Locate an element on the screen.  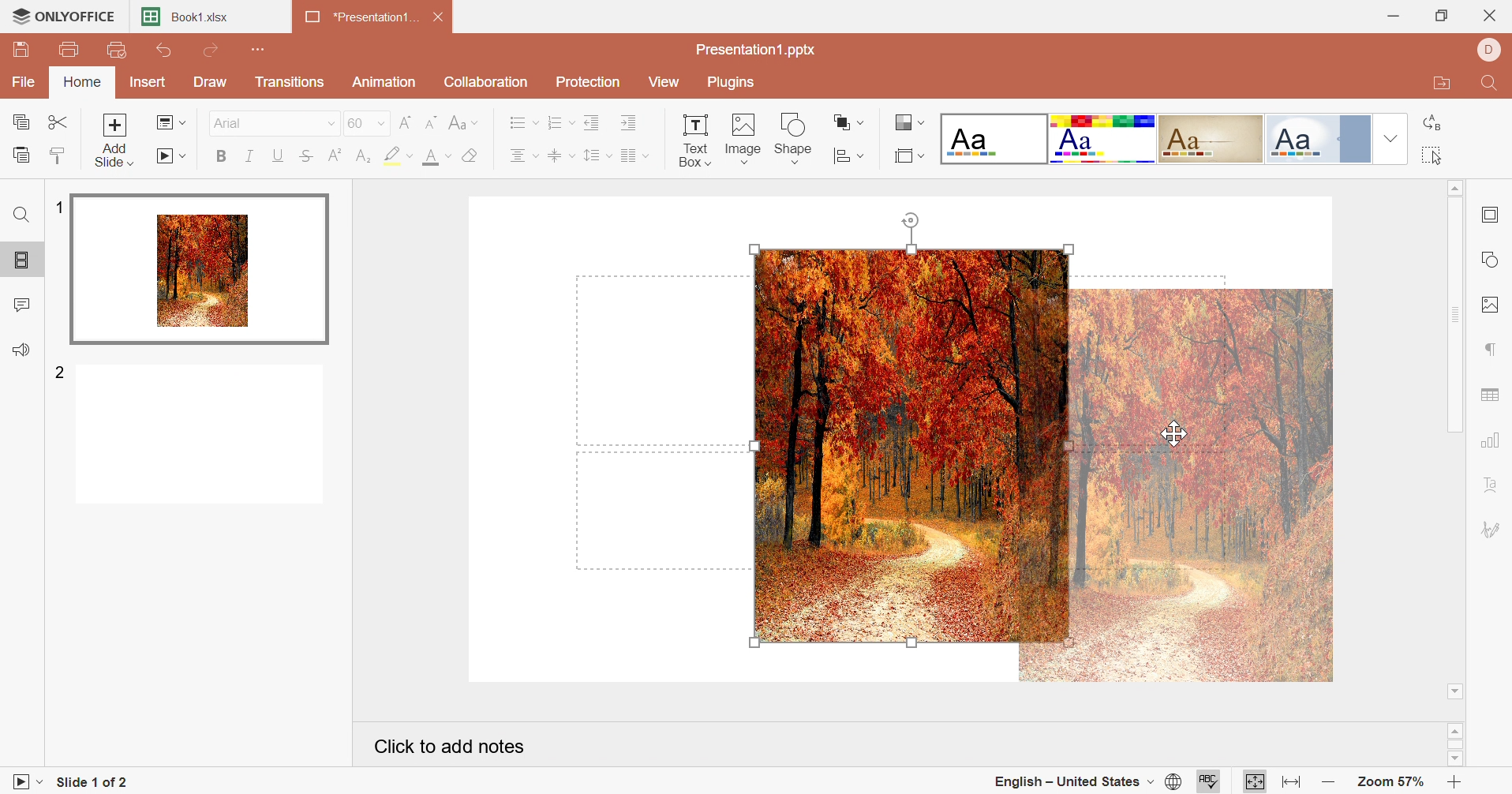
Signature settings is located at coordinates (1493, 530).